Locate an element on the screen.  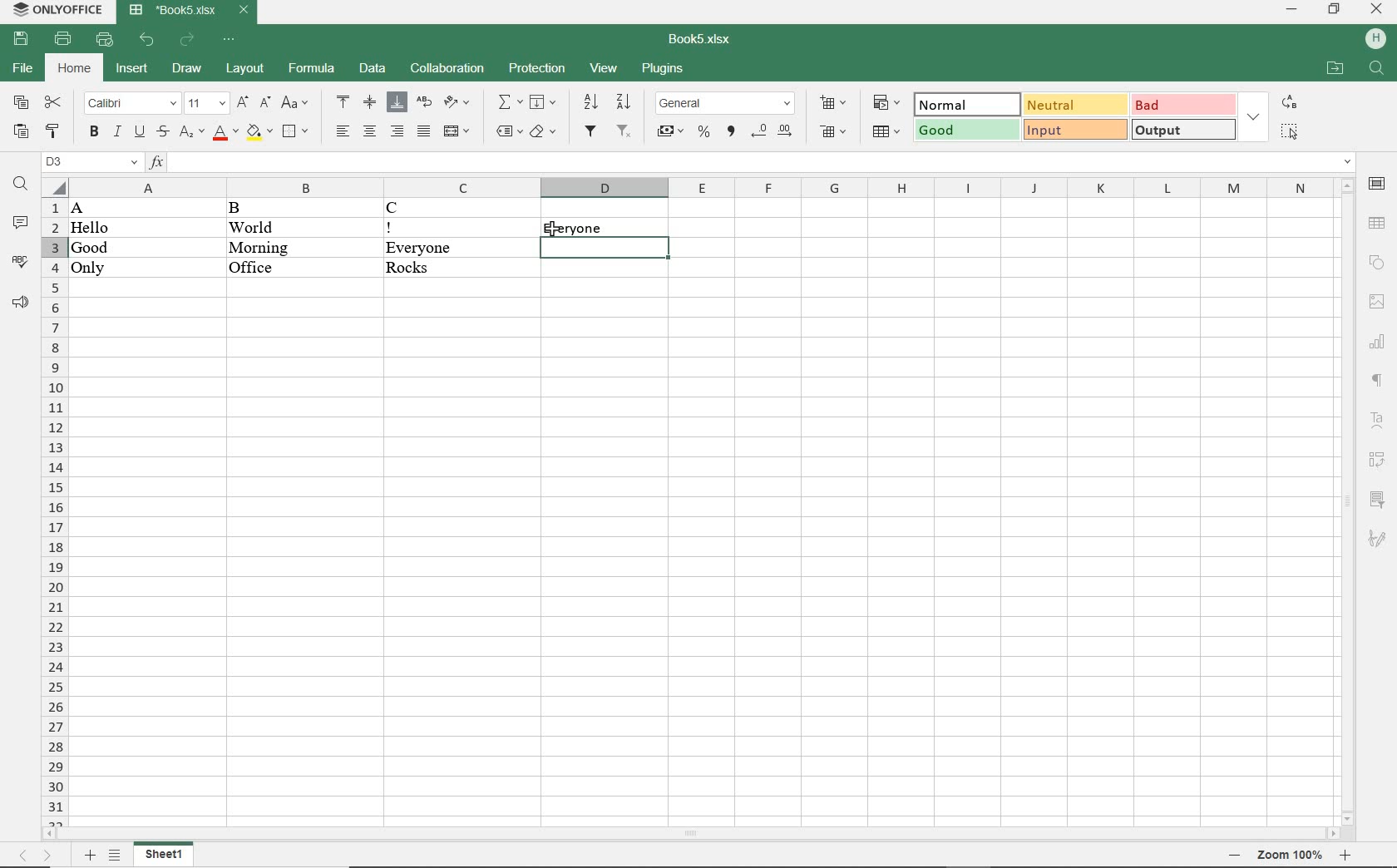
move down is located at coordinates (1346, 817).